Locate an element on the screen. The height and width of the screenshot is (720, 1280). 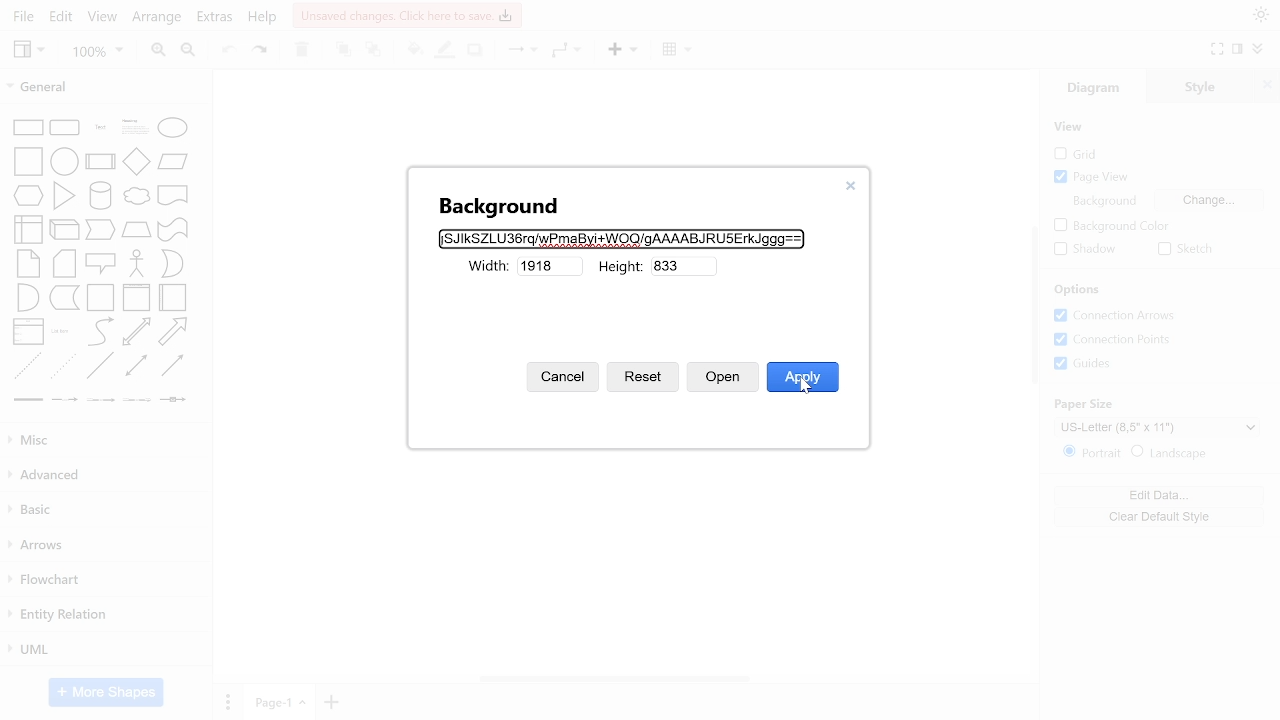
general shapes is located at coordinates (173, 297).